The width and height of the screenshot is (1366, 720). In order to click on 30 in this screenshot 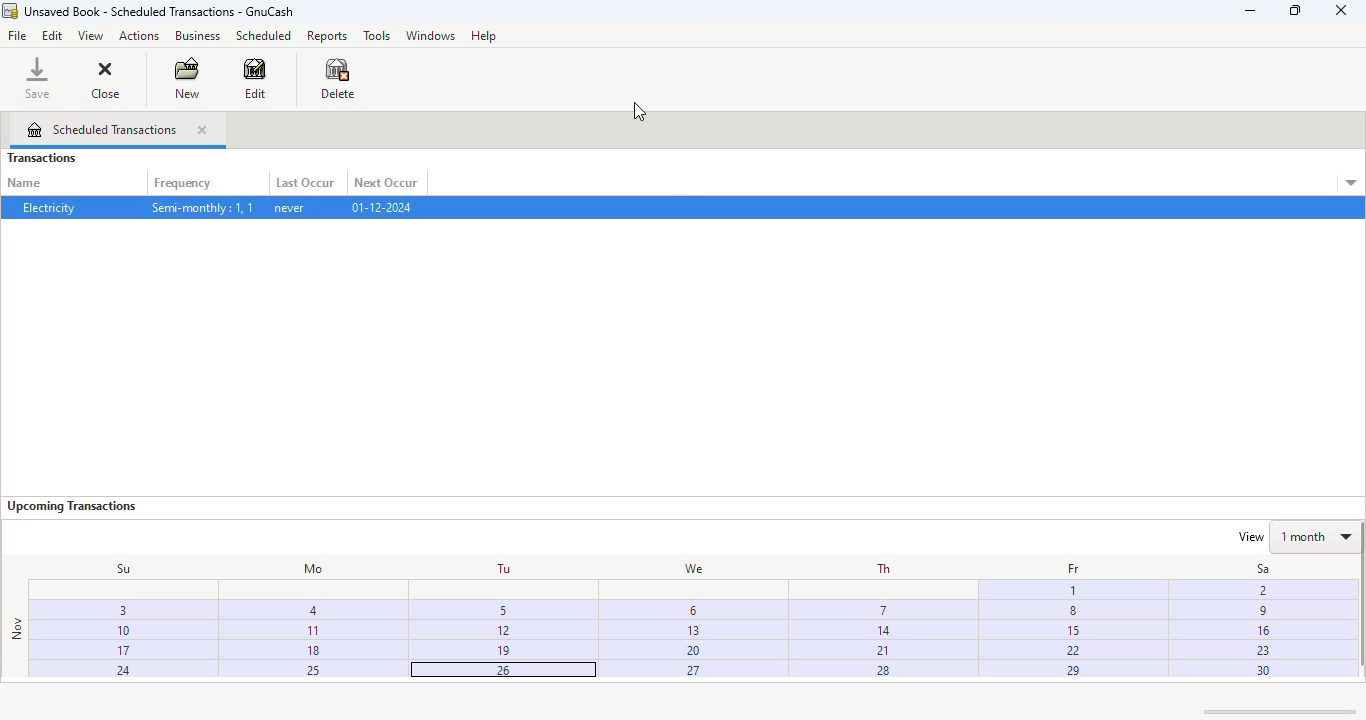, I will do `click(1260, 671)`.